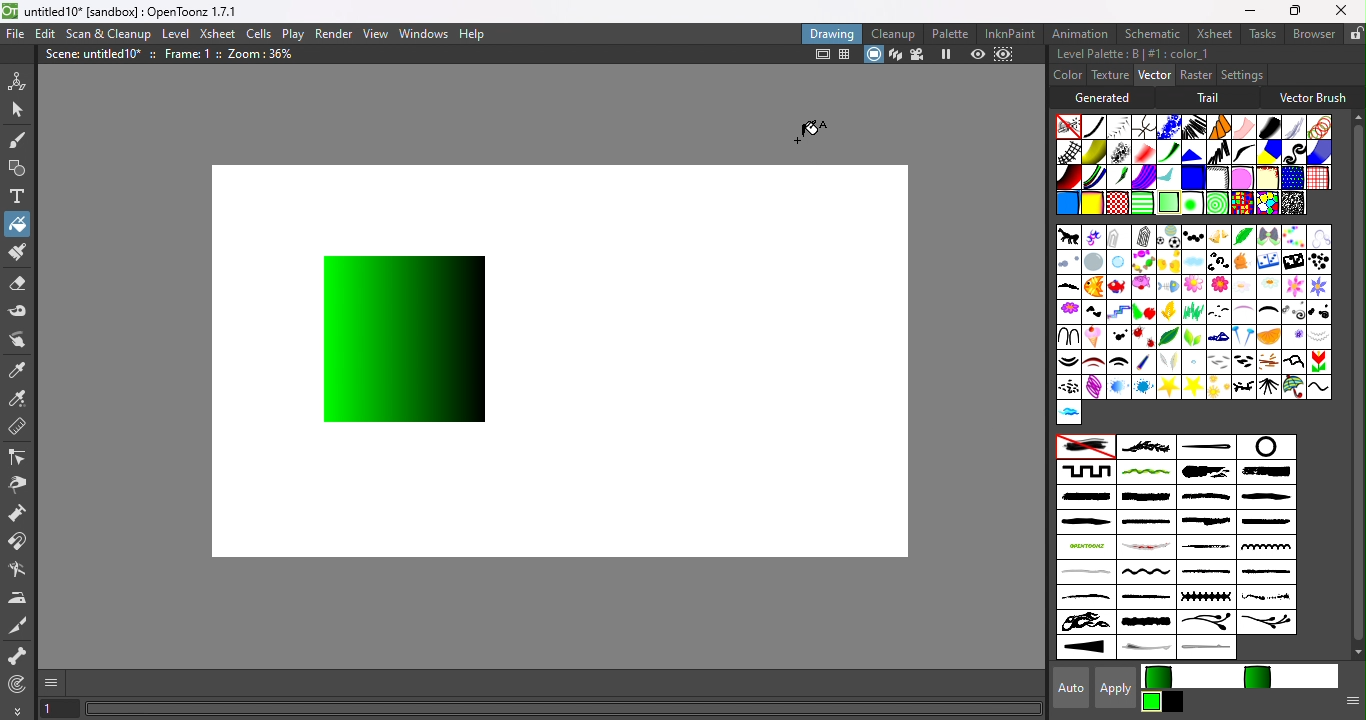 Image resolution: width=1366 pixels, height=720 pixels. What do you see at coordinates (1313, 33) in the screenshot?
I see `Browser` at bounding box center [1313, 33].